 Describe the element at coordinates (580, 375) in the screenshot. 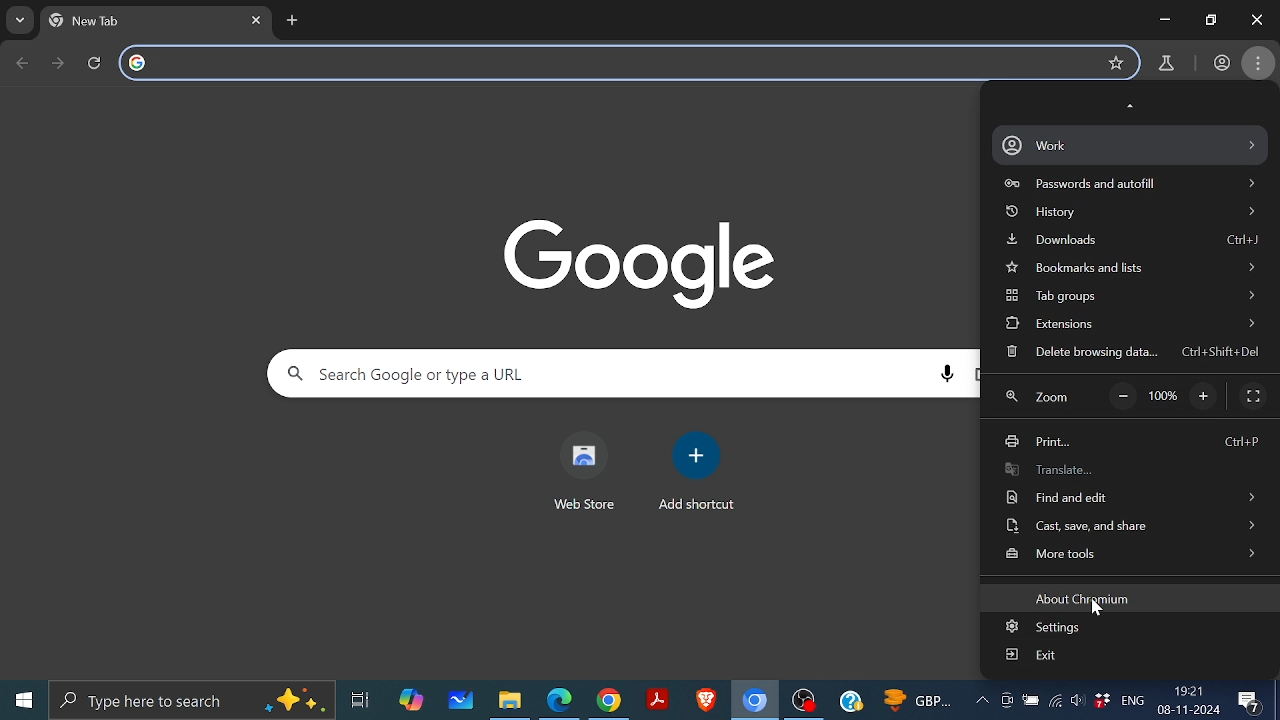

I see `Search Google or type a url` at that location.